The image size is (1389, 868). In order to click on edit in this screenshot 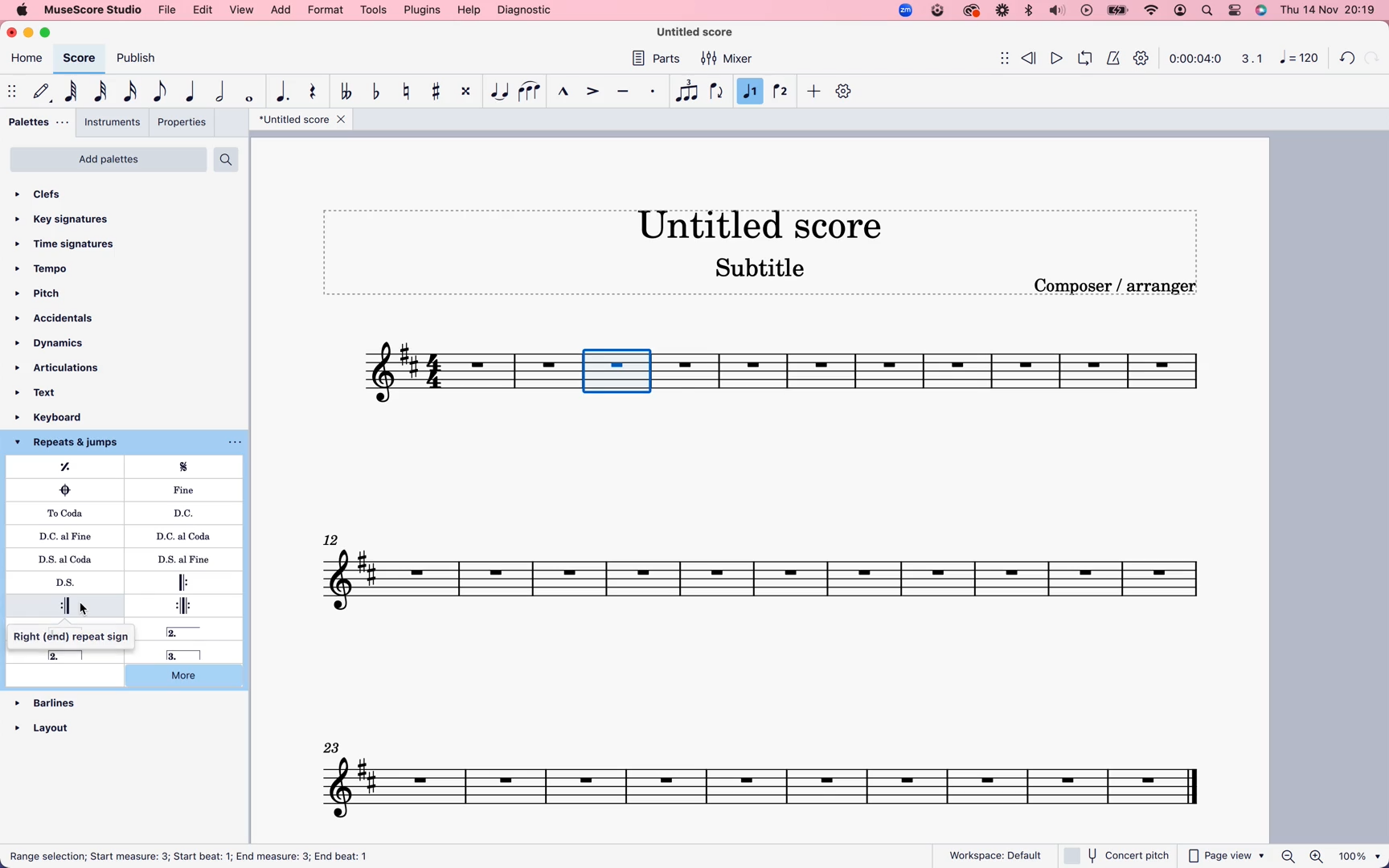, I will do `click(204, 10)`.